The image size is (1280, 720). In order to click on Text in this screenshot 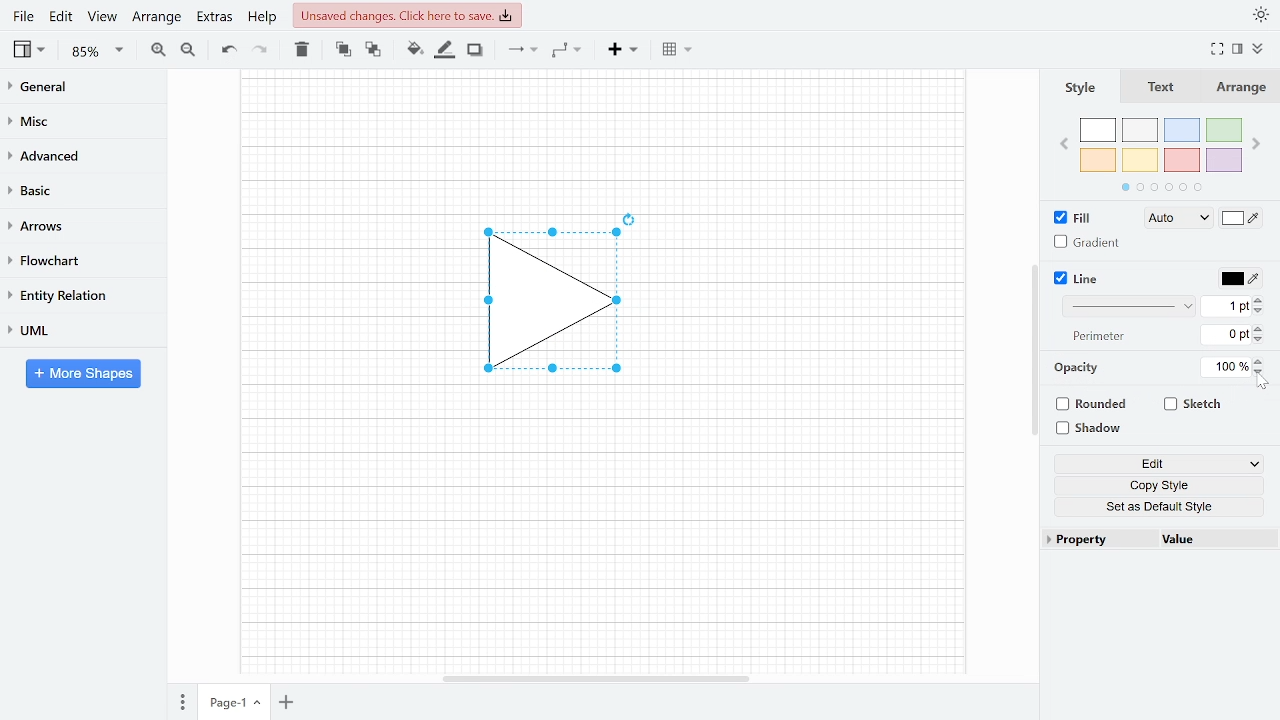, I will do `click(1157, 88)`.